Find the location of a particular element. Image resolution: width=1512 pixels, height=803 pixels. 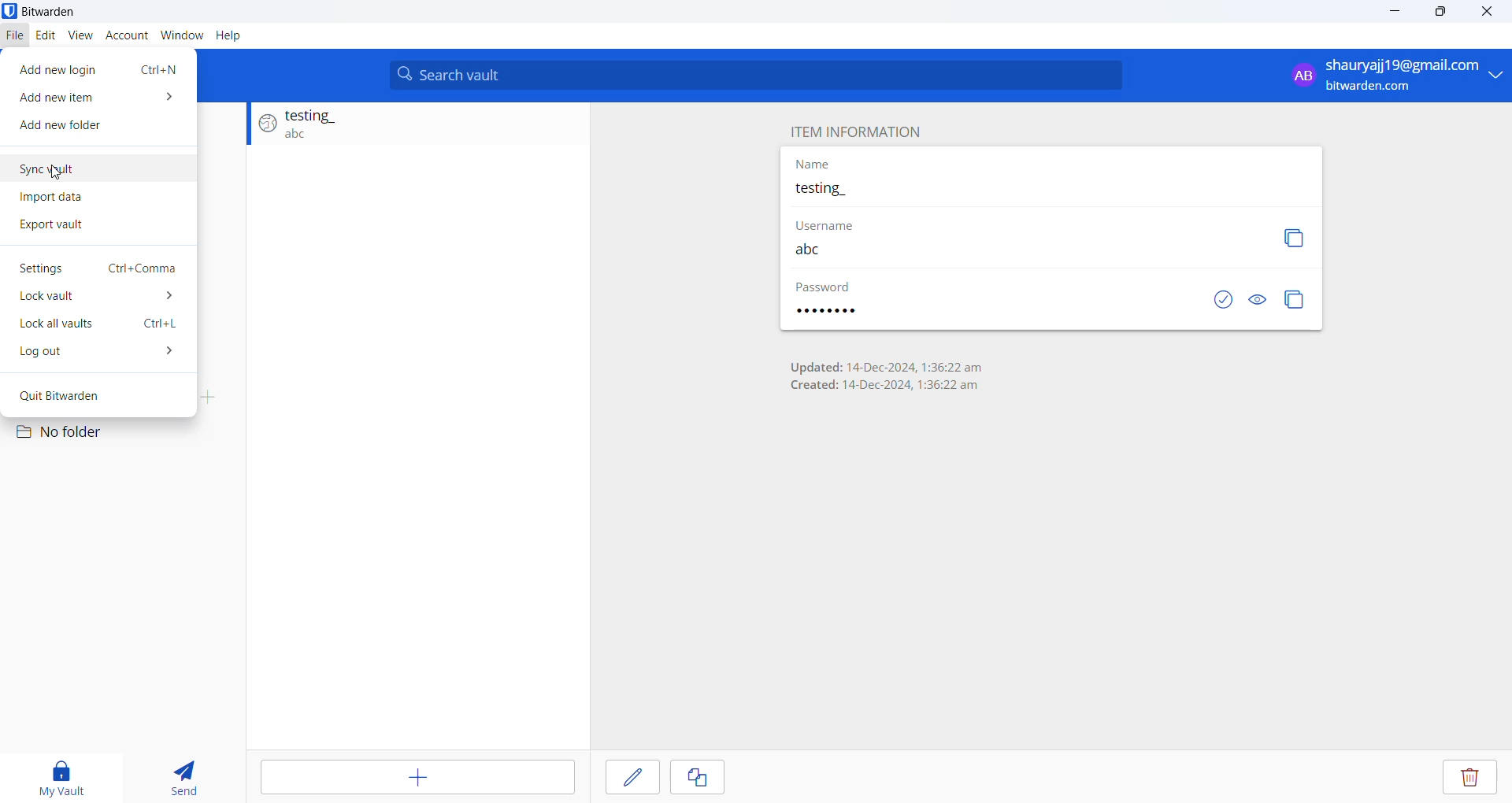

Import data is located at coordinates (92, 198).